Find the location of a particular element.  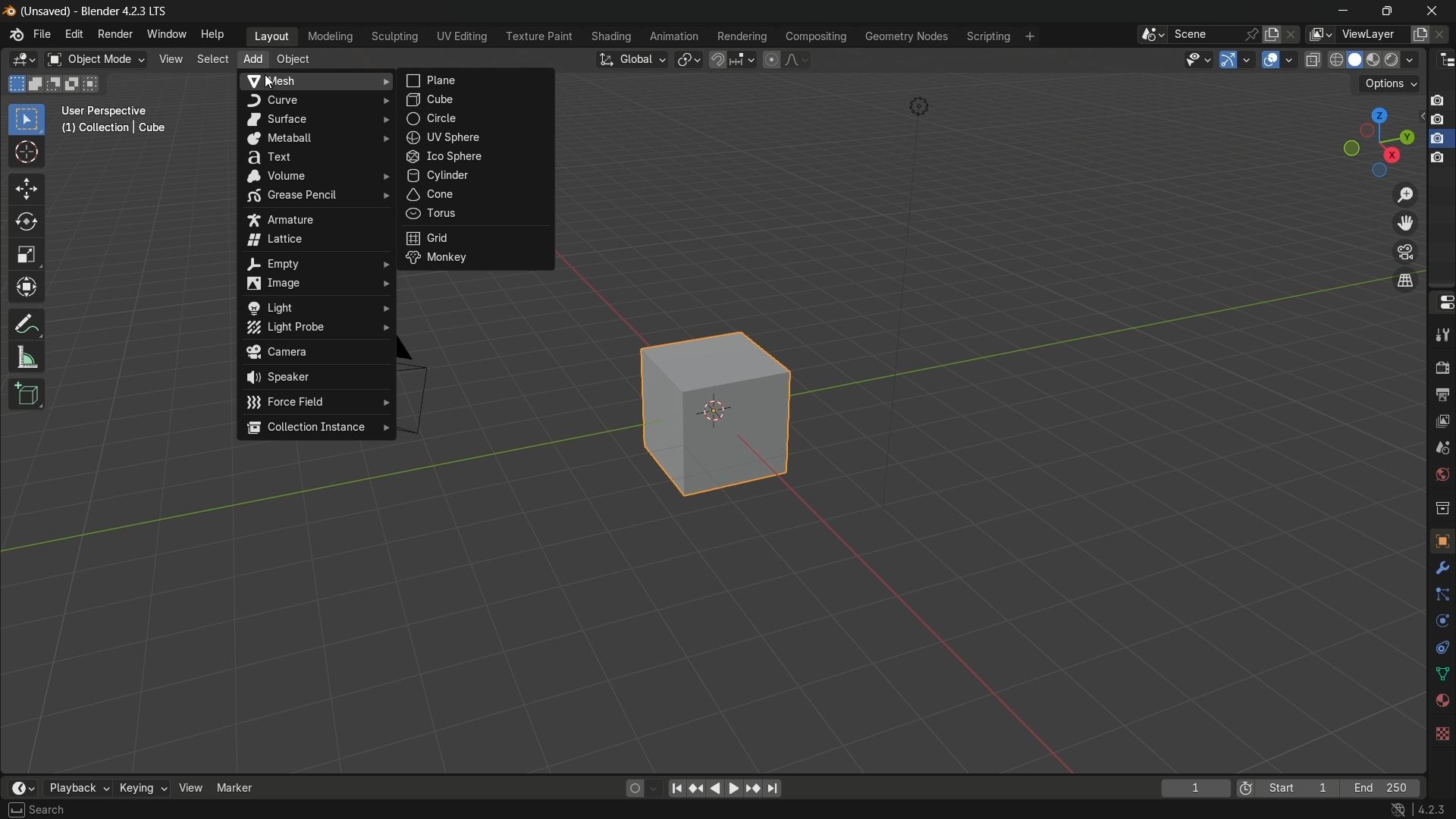

snap is located at coordinates (731, 59).